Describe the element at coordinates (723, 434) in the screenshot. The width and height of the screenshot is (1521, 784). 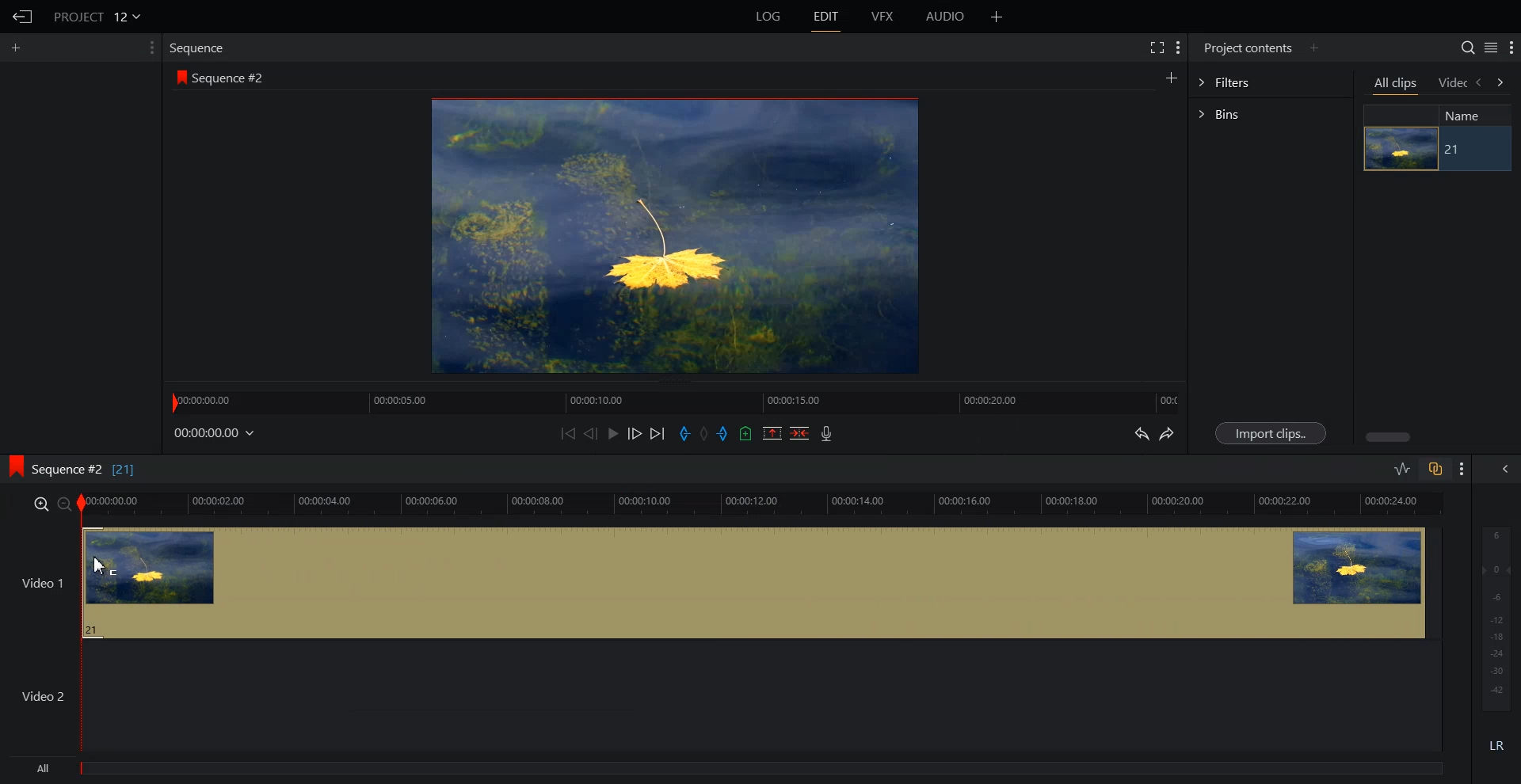
I see `Add out mark in the current video` at that location.